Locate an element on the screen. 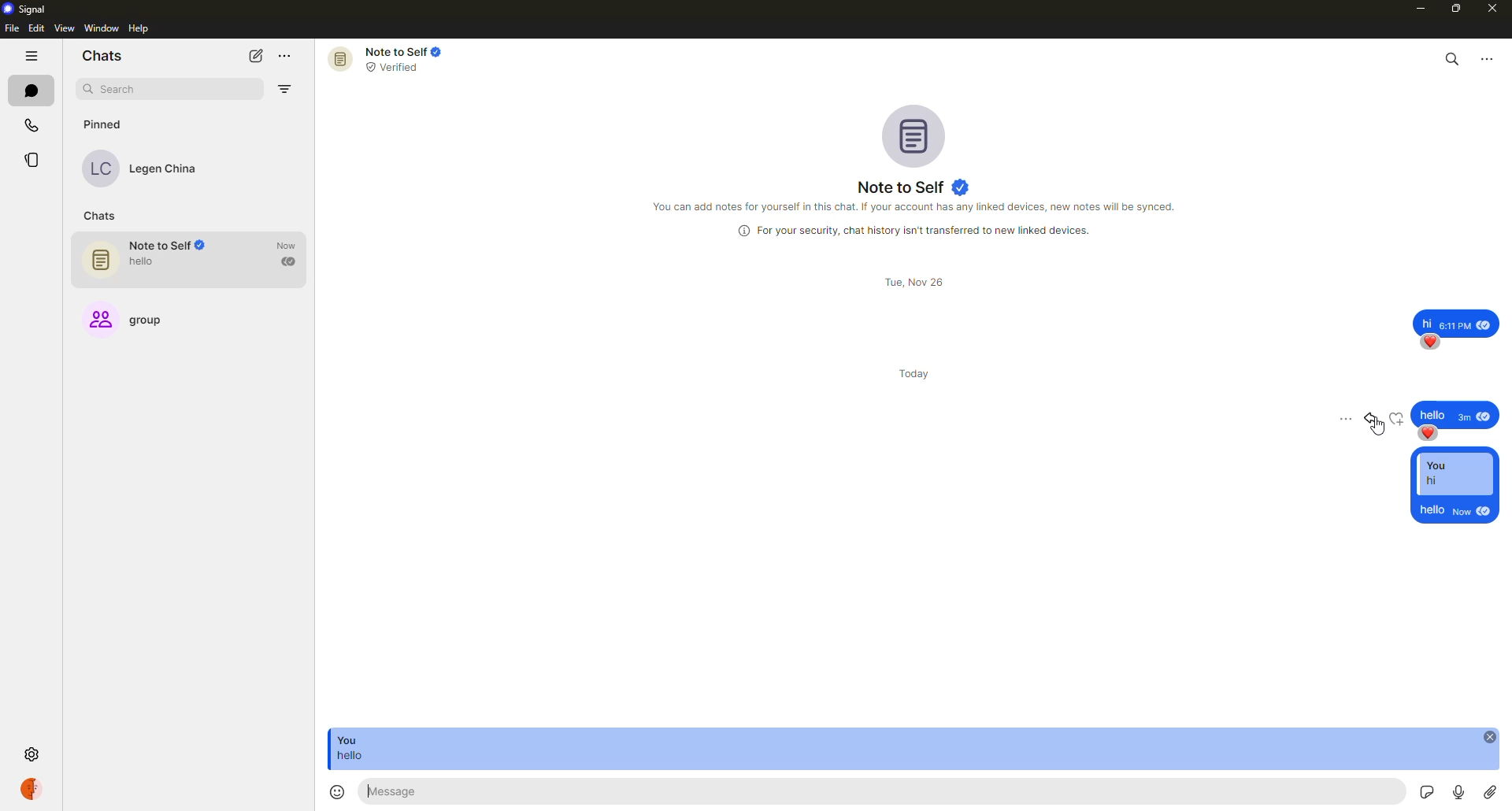 This screenshot has width=1512, height=811. group is located at coordinates (139, 320).